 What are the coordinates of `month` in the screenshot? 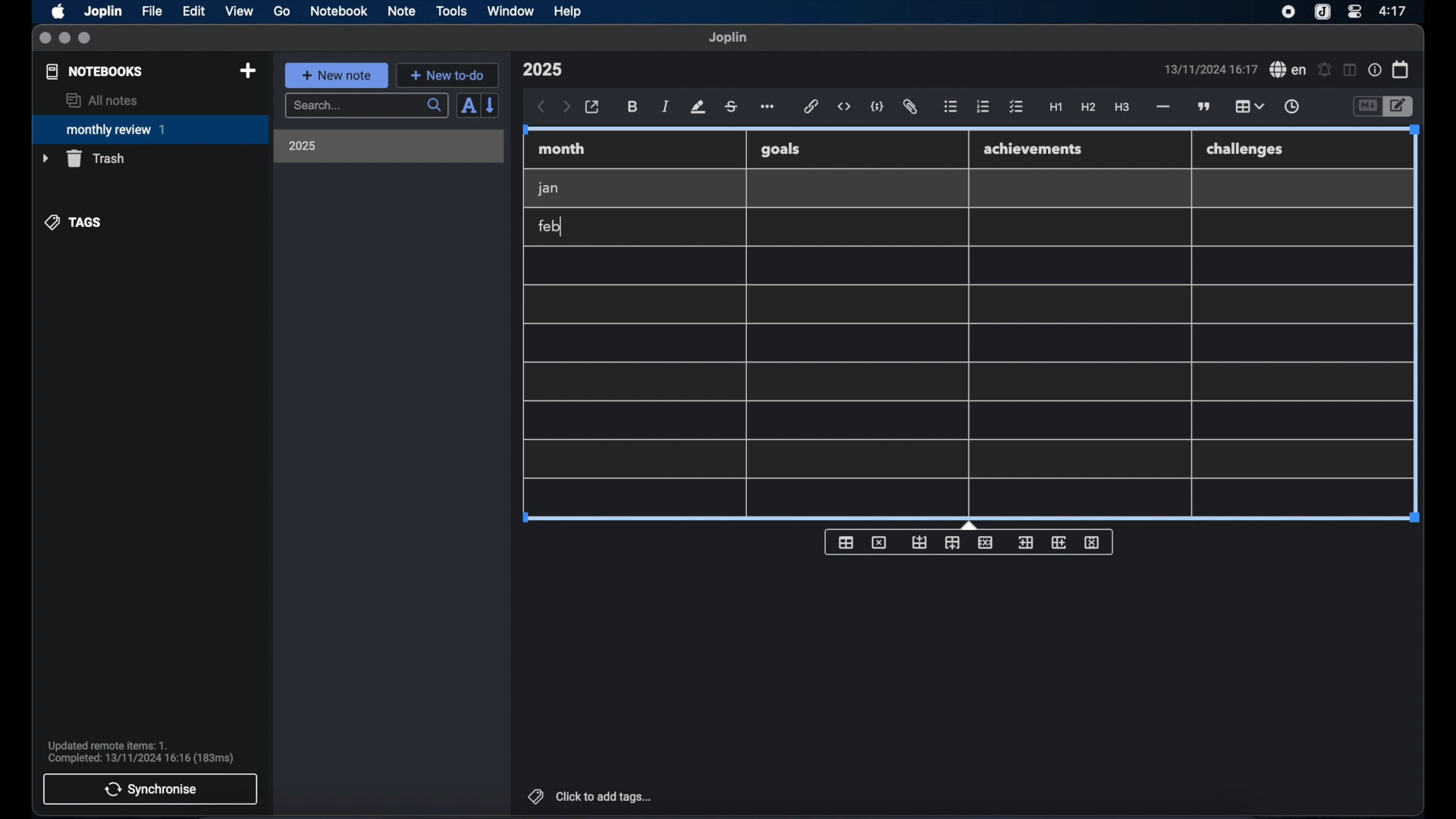 It's located at (562, 149).